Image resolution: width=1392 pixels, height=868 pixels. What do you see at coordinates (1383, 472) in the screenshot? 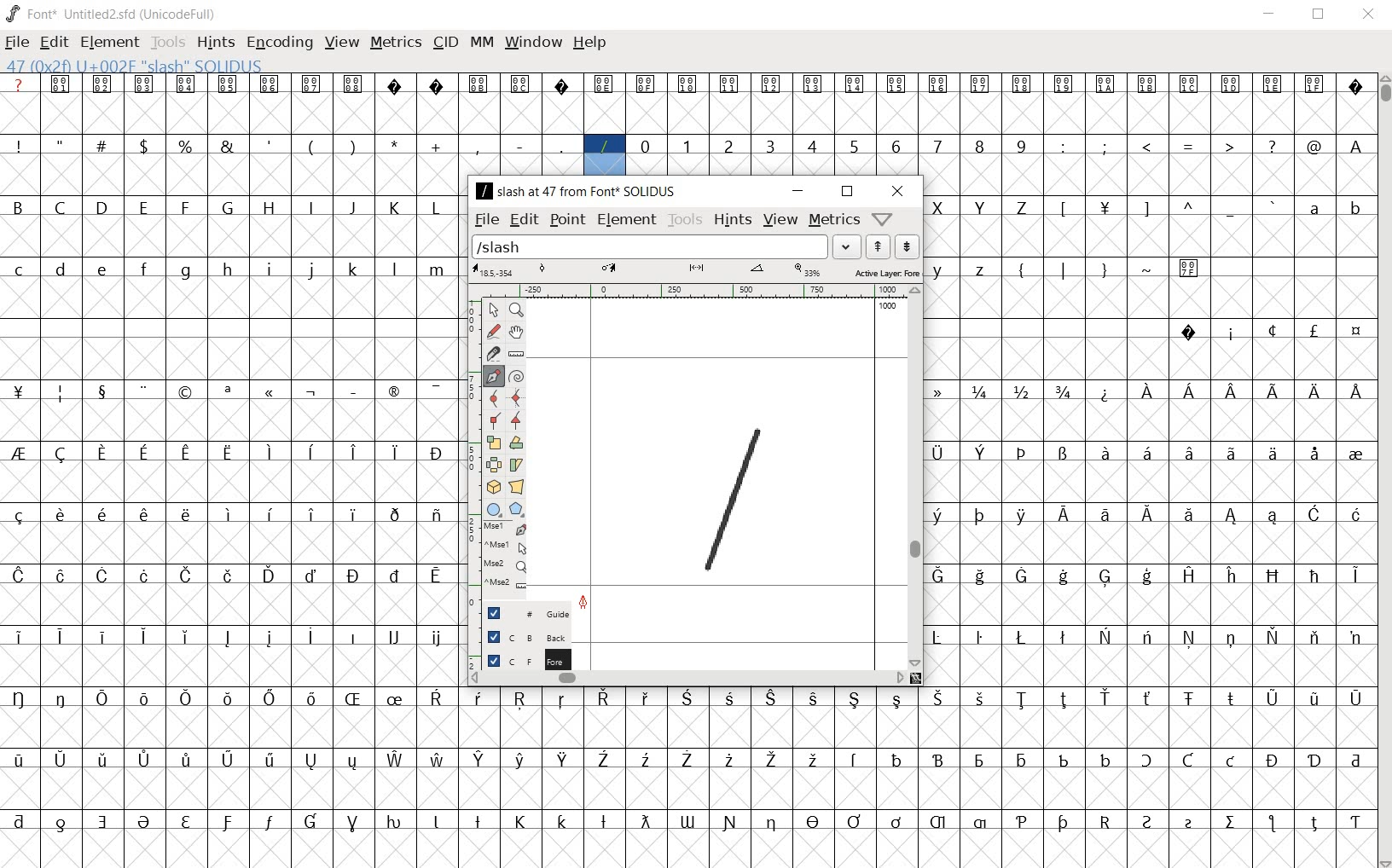
I see `CURSOR` at bounding box center [1383, 472].